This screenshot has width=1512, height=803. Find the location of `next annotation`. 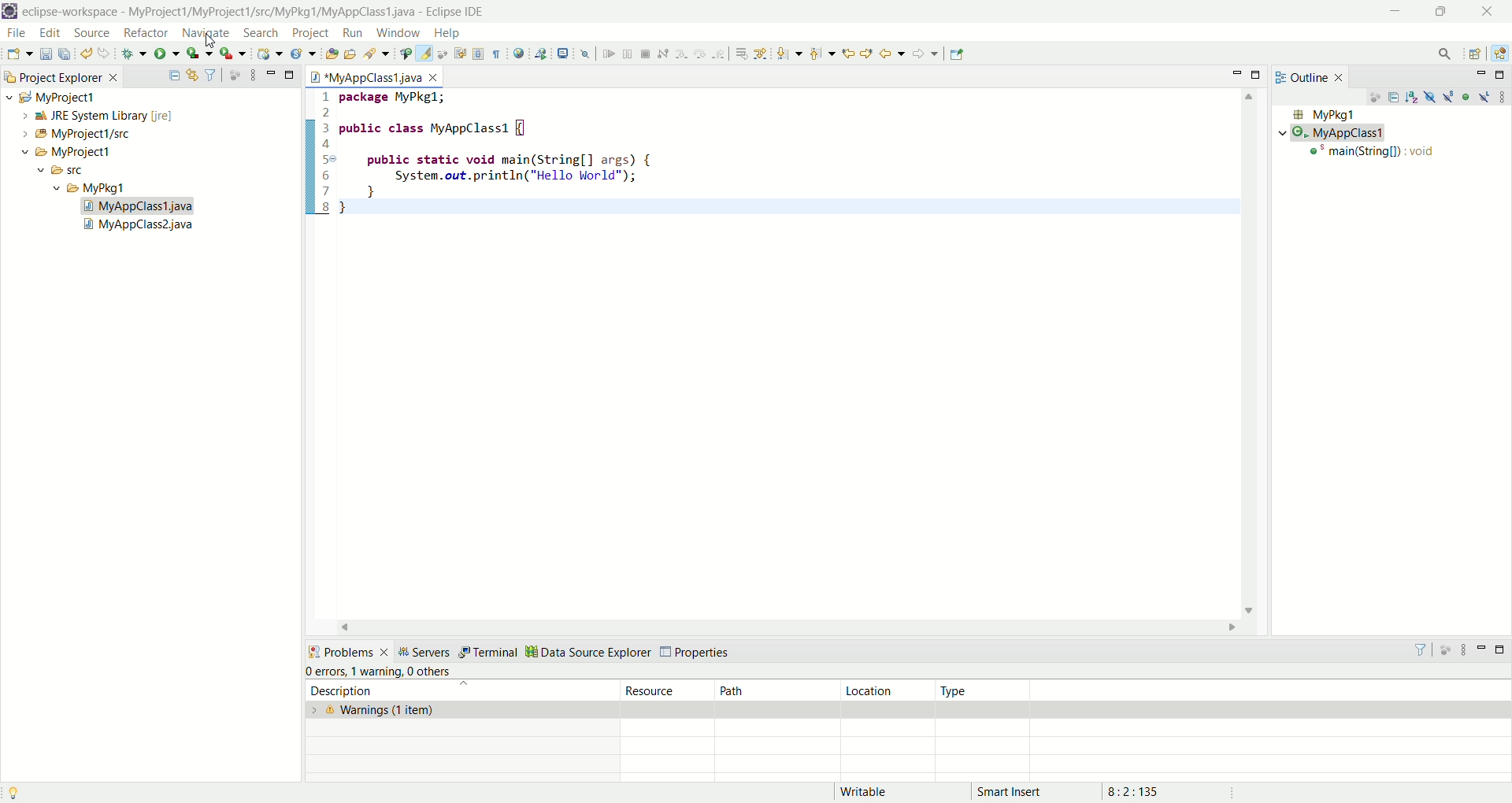

next annotation is located at coordinates (790, 54).